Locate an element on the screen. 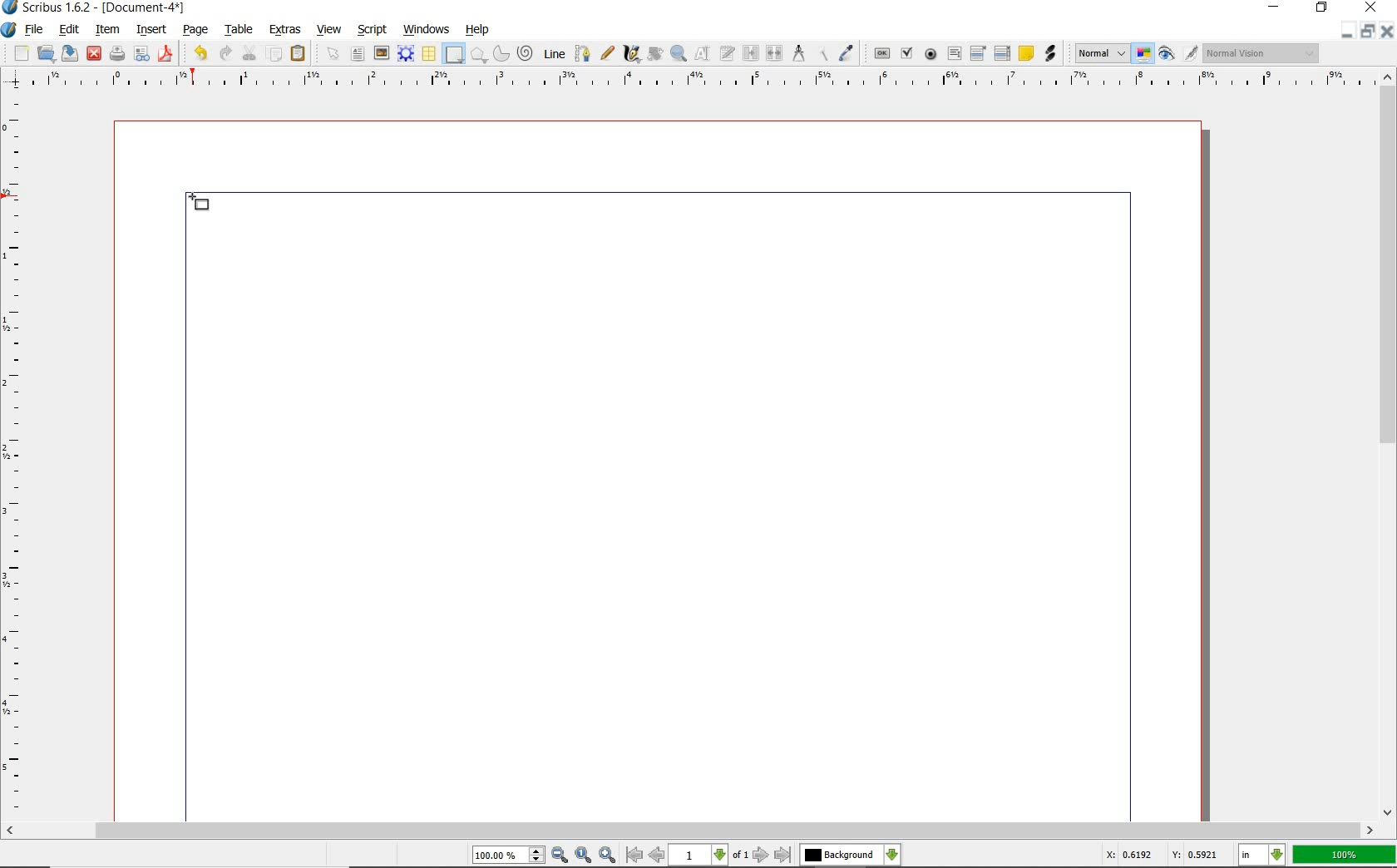 The width and height of the screenshot is (1397, 868). save as pdf is located at coordinates (166, 53).